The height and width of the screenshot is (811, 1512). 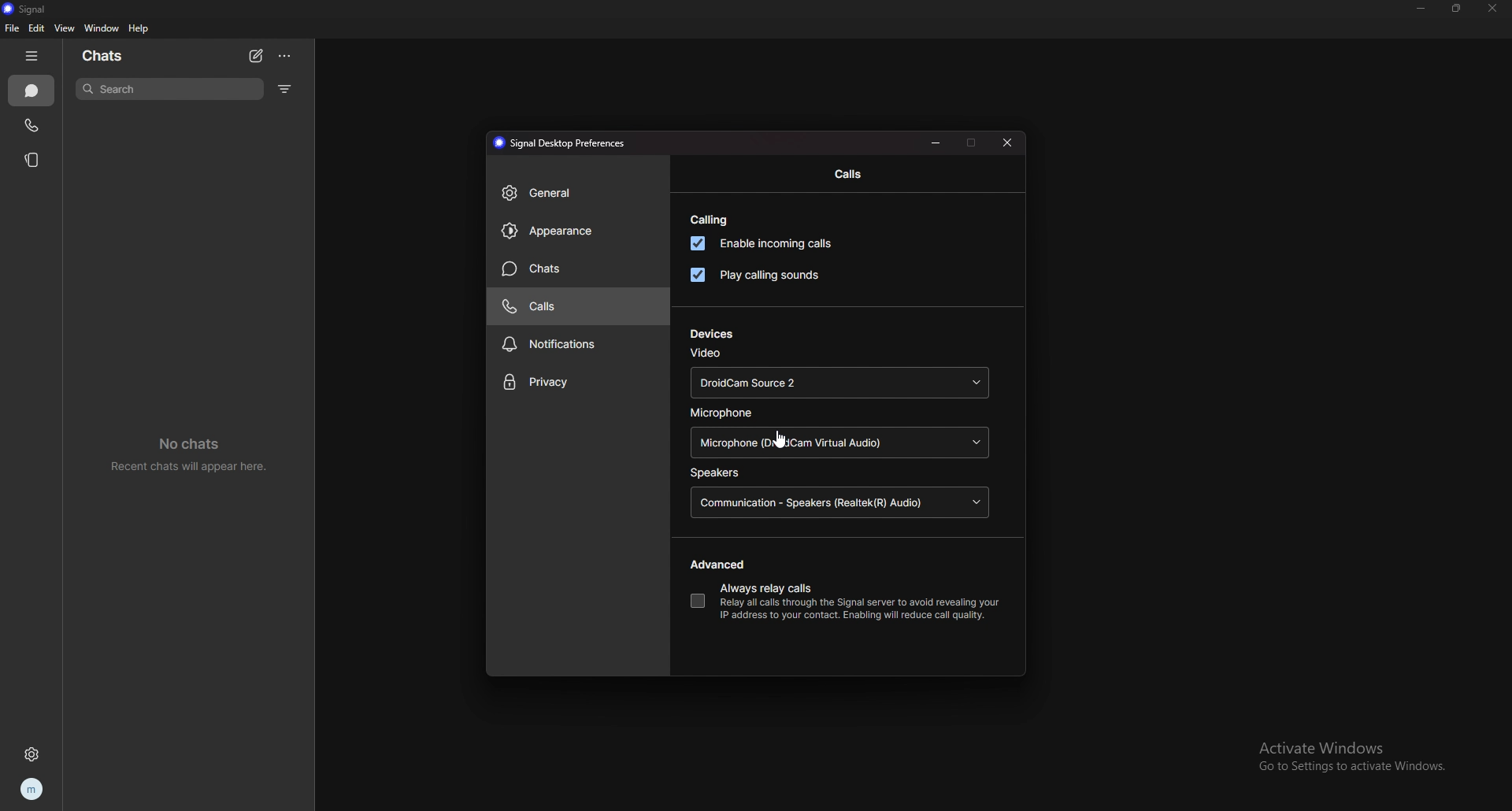 What do you see at coordinates (172, 88) in the screenshot?
I see `search` at bounding box center [172, 88].